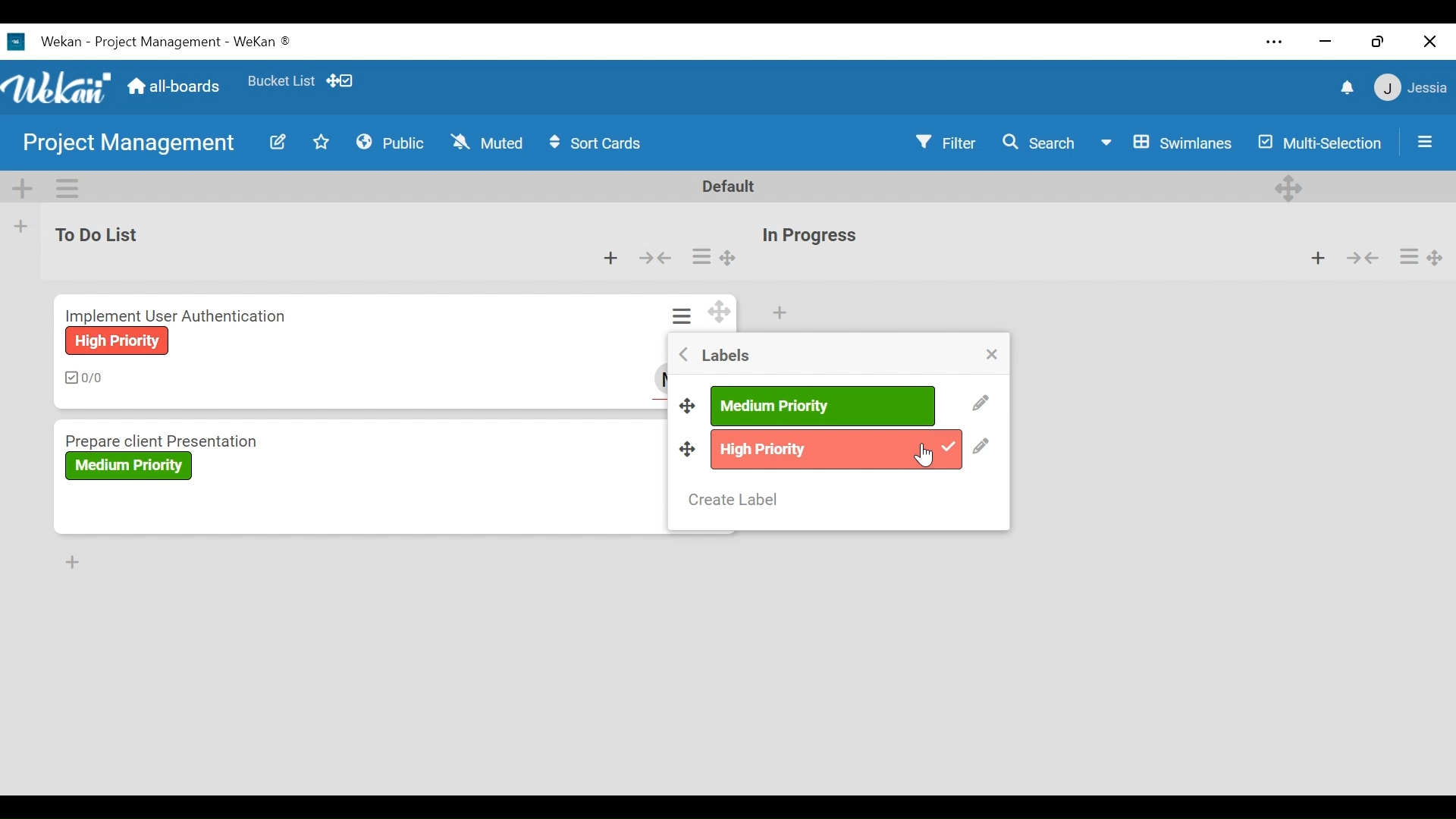 The height and width of the screenshot is (819, 1456). I want to click on Card actions, so click(685, 317).